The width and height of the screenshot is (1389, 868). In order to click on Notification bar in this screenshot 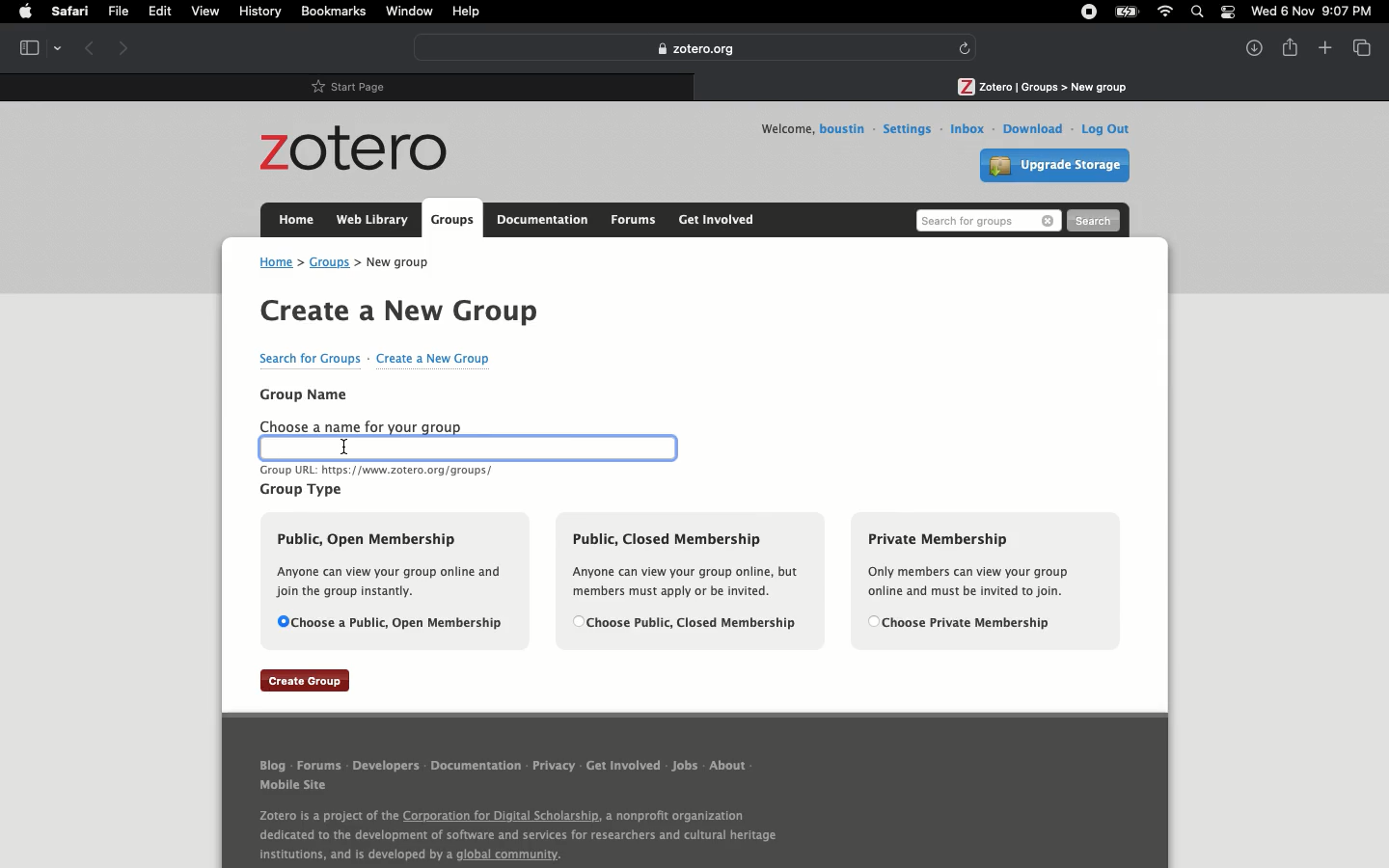, I will do `click(1225, 14)`.